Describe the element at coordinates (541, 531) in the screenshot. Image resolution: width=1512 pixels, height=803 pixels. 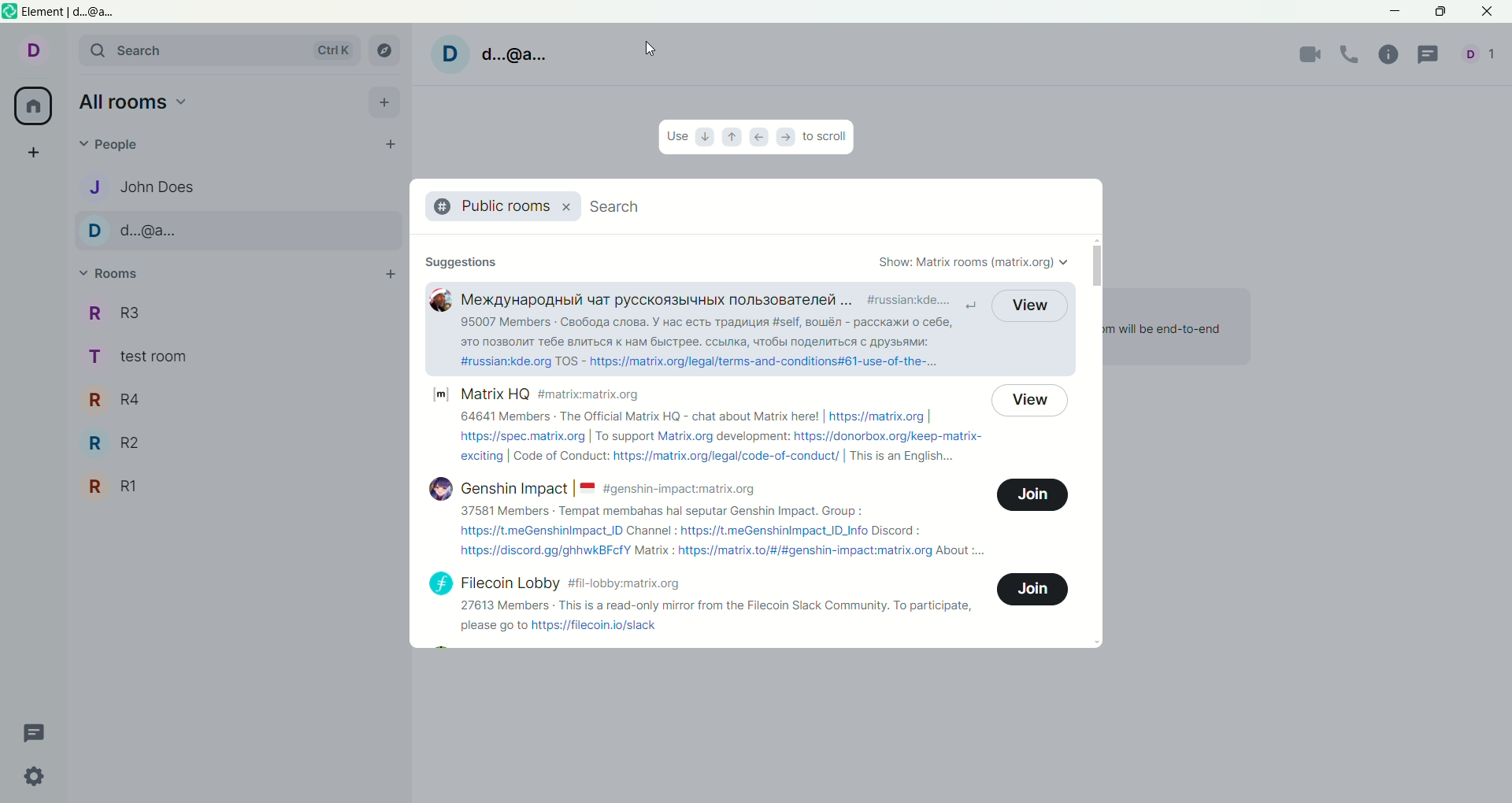
I see `https://t. neGenshinimpact_ID` at that location.